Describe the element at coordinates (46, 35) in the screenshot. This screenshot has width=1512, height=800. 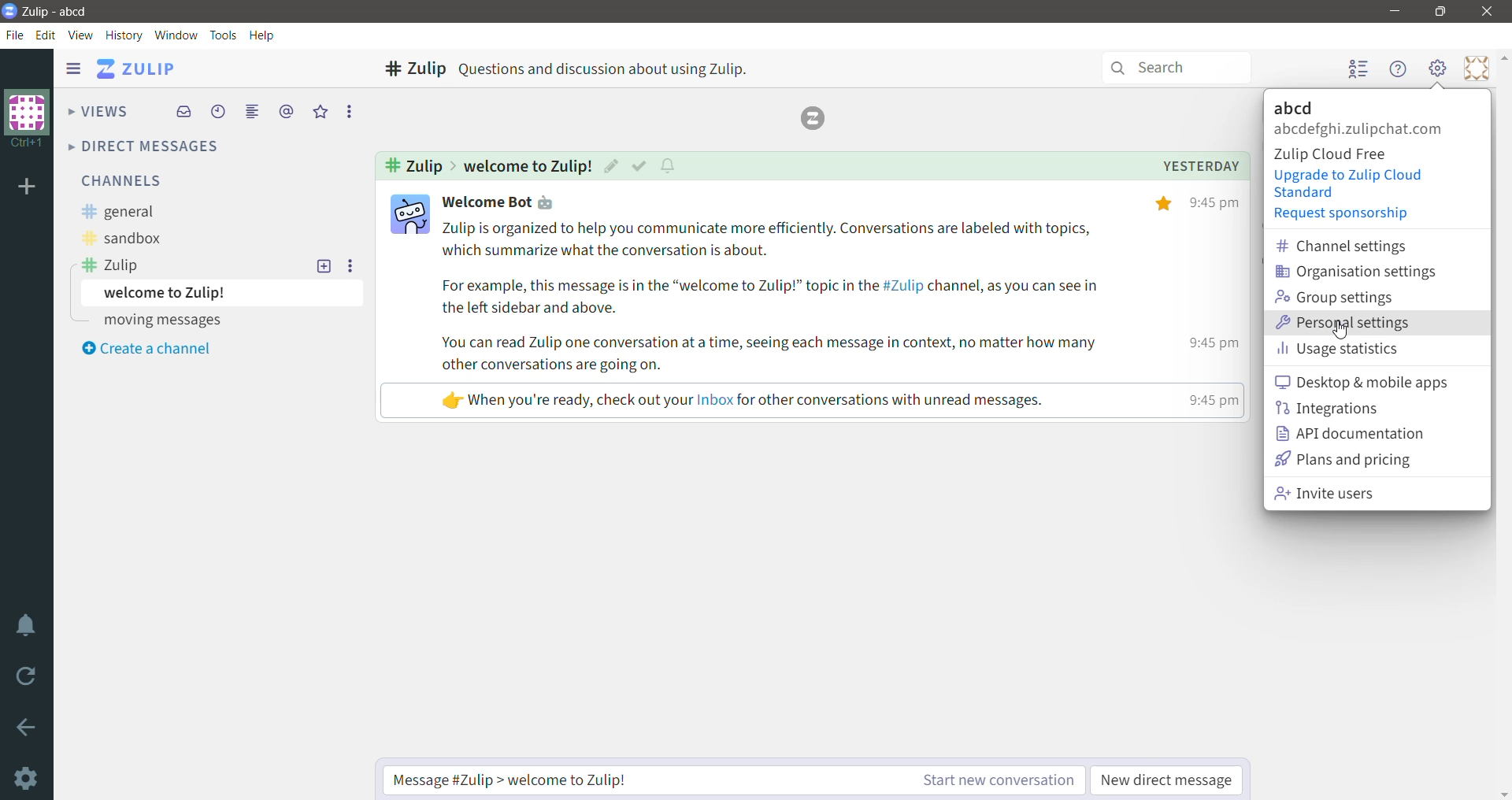
I see `Edit` at that location.